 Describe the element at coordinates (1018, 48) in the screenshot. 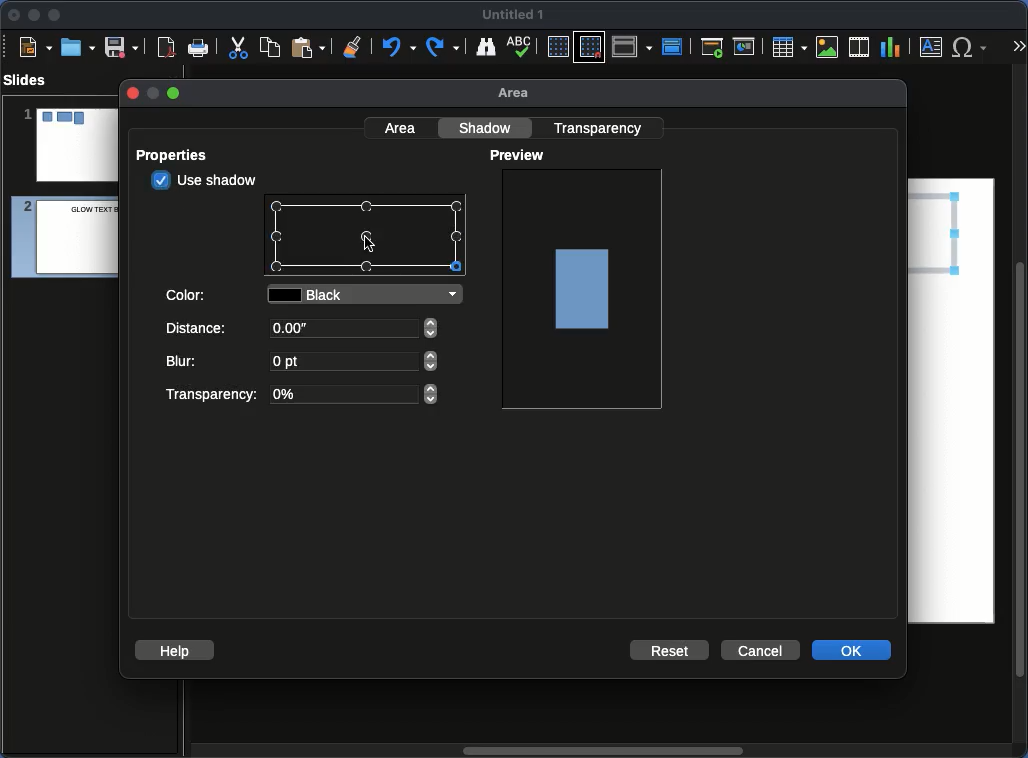

I see `More` at that location.